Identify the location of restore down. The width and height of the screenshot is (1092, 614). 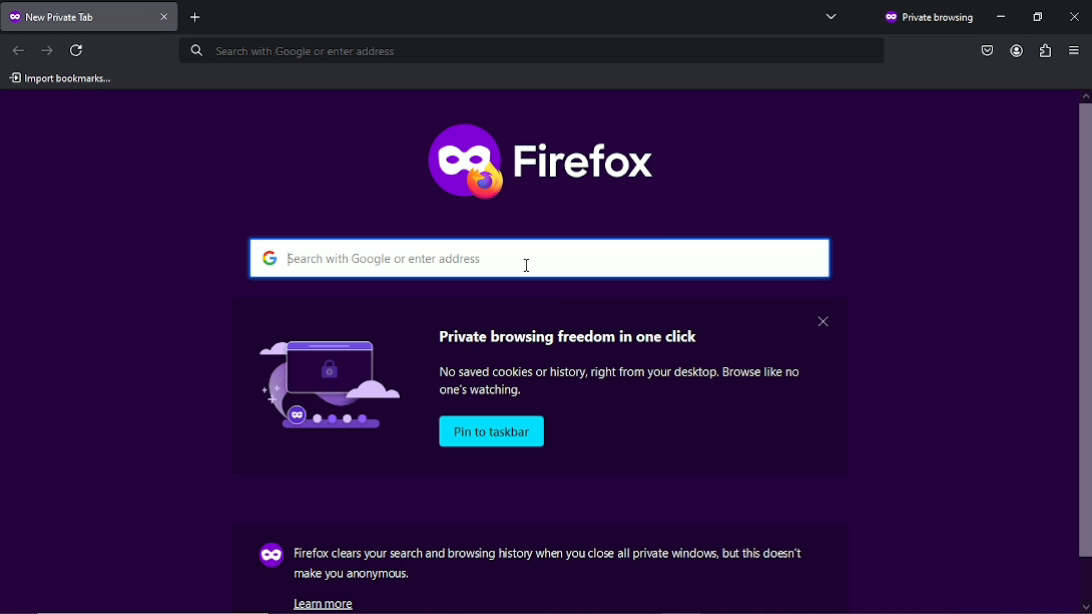
(1039, 17).